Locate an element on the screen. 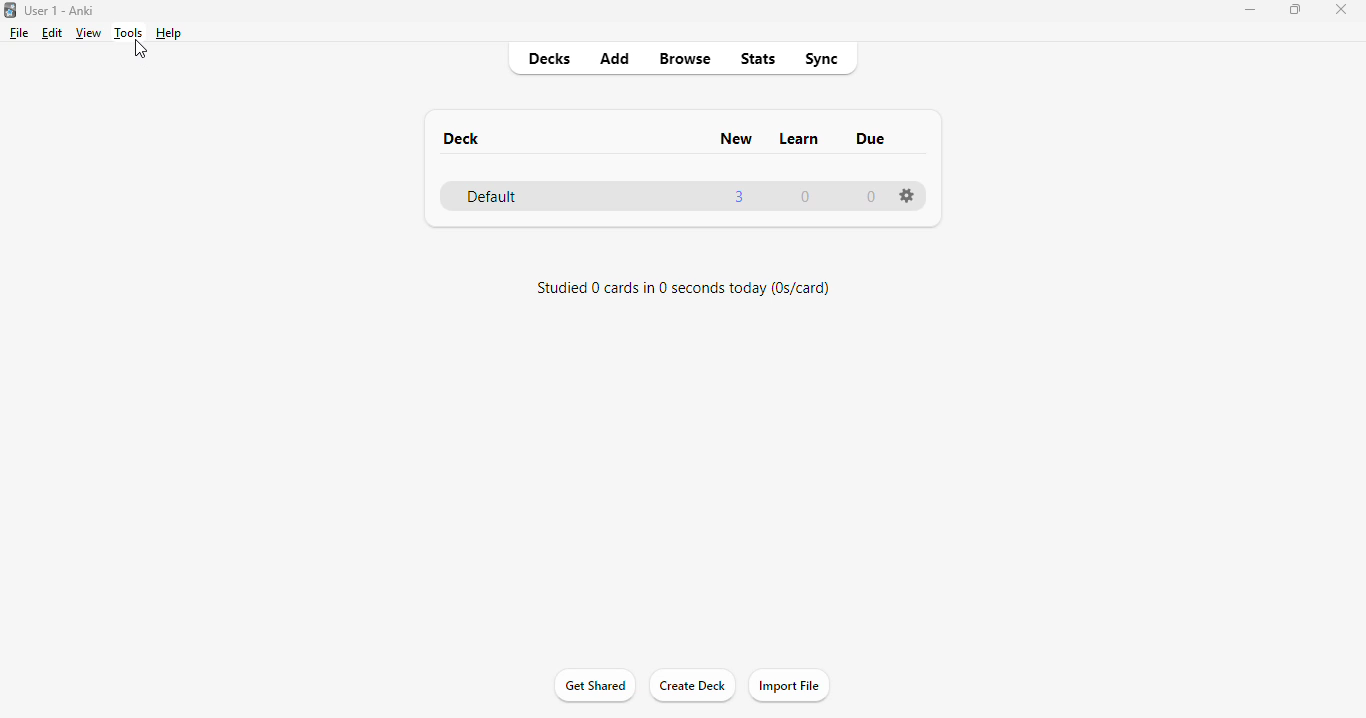 The image size is (1366, 718). add is located at coordinates (616, 58).